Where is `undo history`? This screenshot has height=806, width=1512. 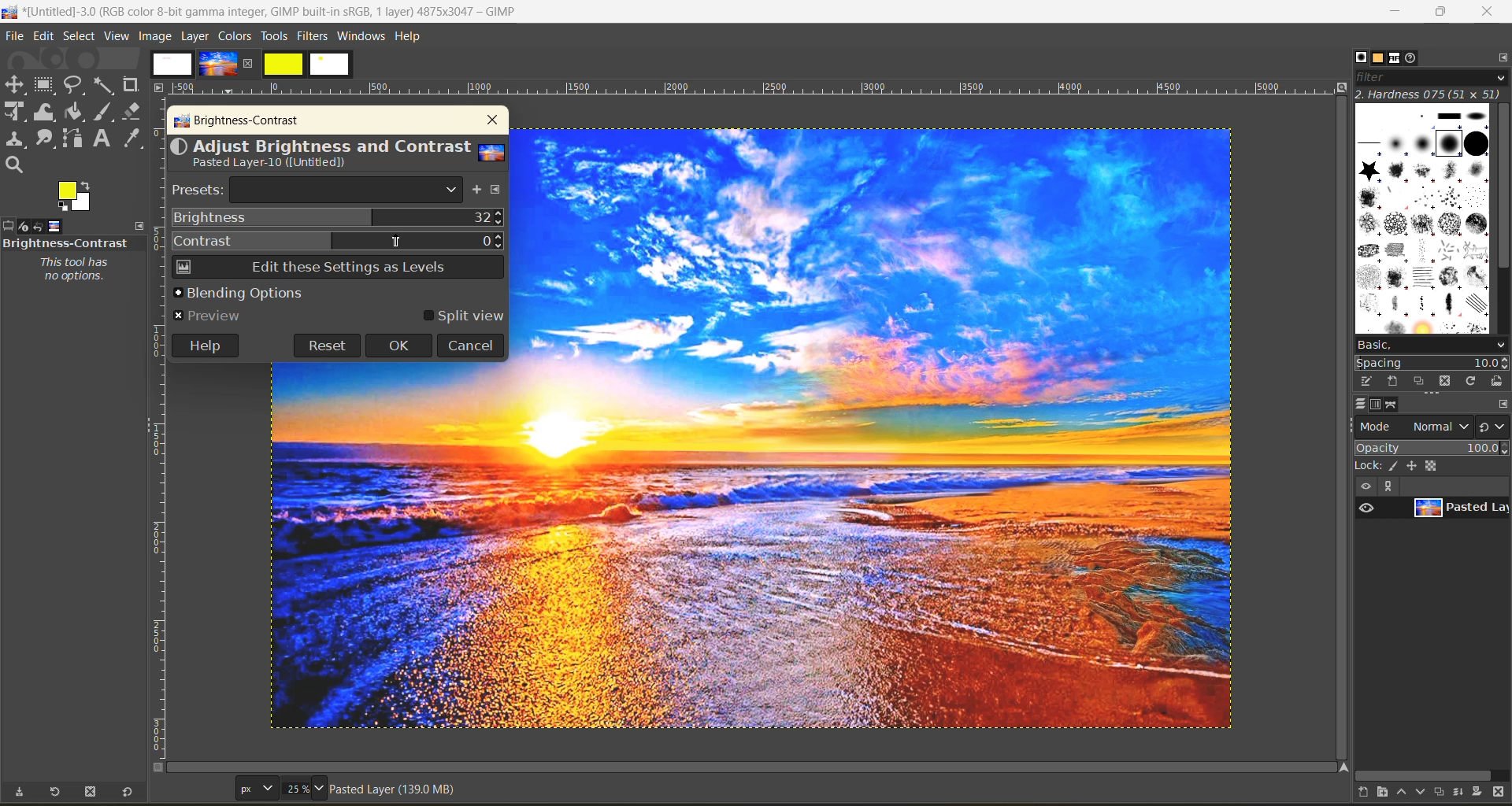
undo history is located at coordinates (37, 227).